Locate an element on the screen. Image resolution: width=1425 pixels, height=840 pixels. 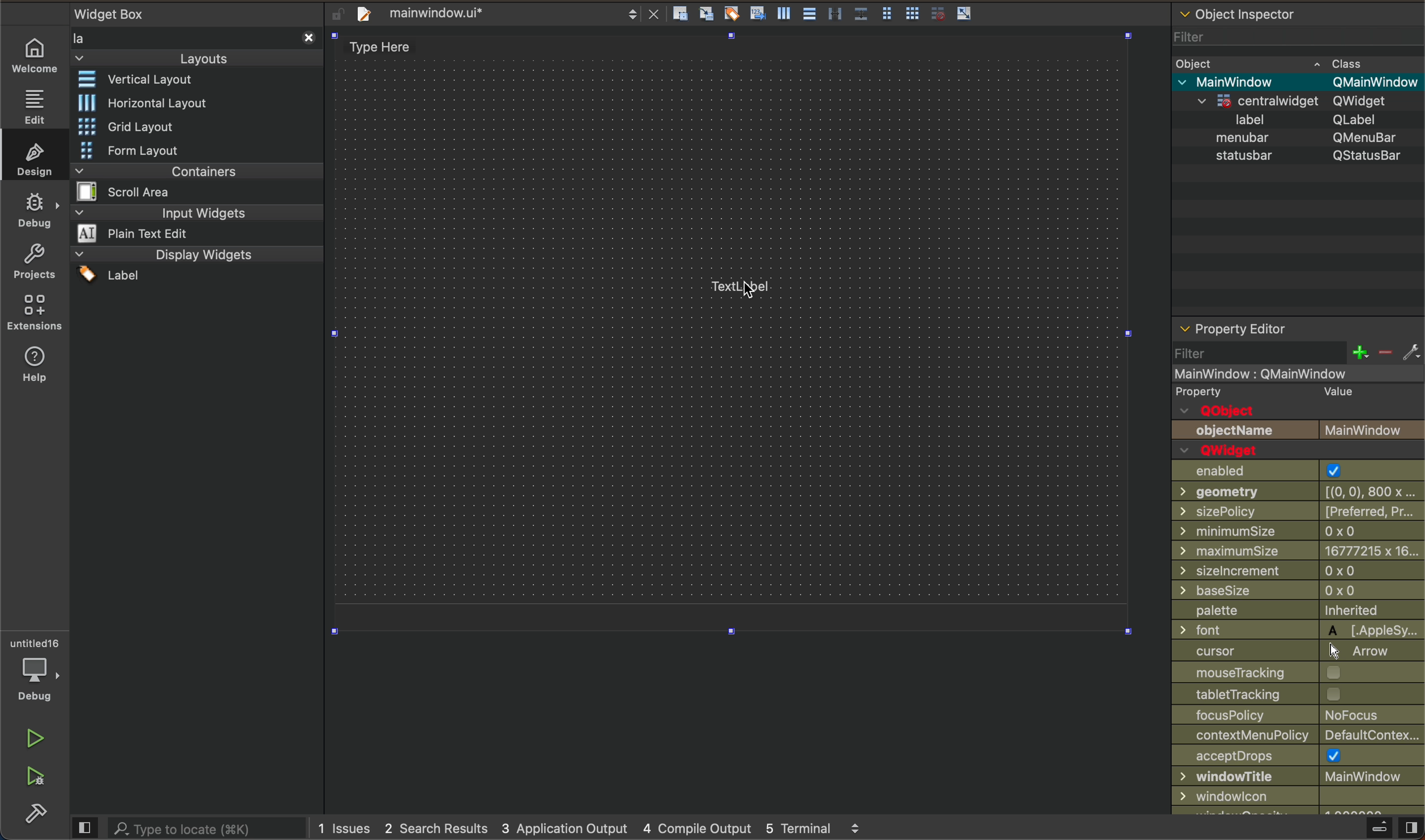
debug is located at coordinates (37, 211).